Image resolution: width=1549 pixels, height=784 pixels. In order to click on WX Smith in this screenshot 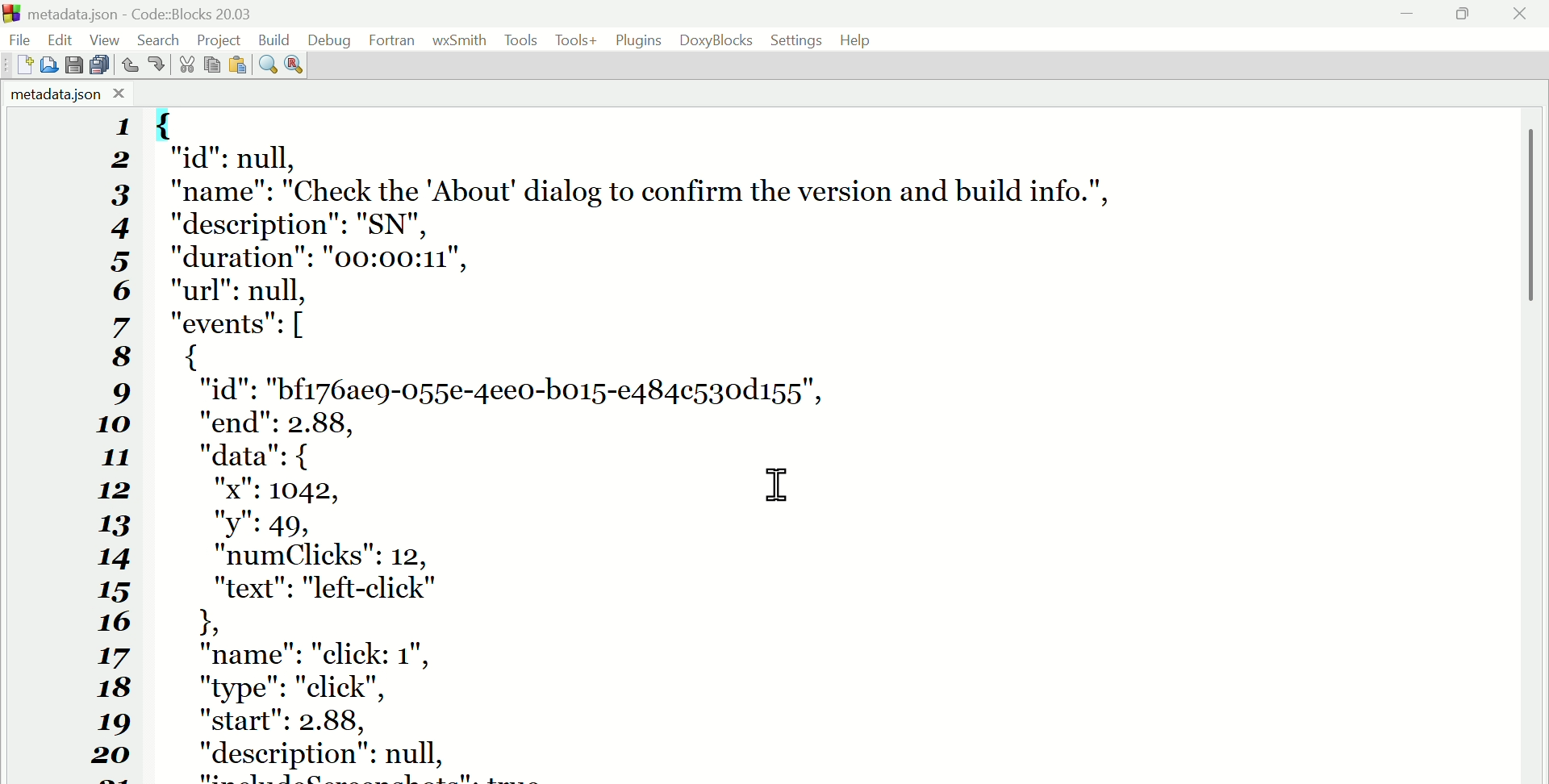, I will do `click(460, 40)`.